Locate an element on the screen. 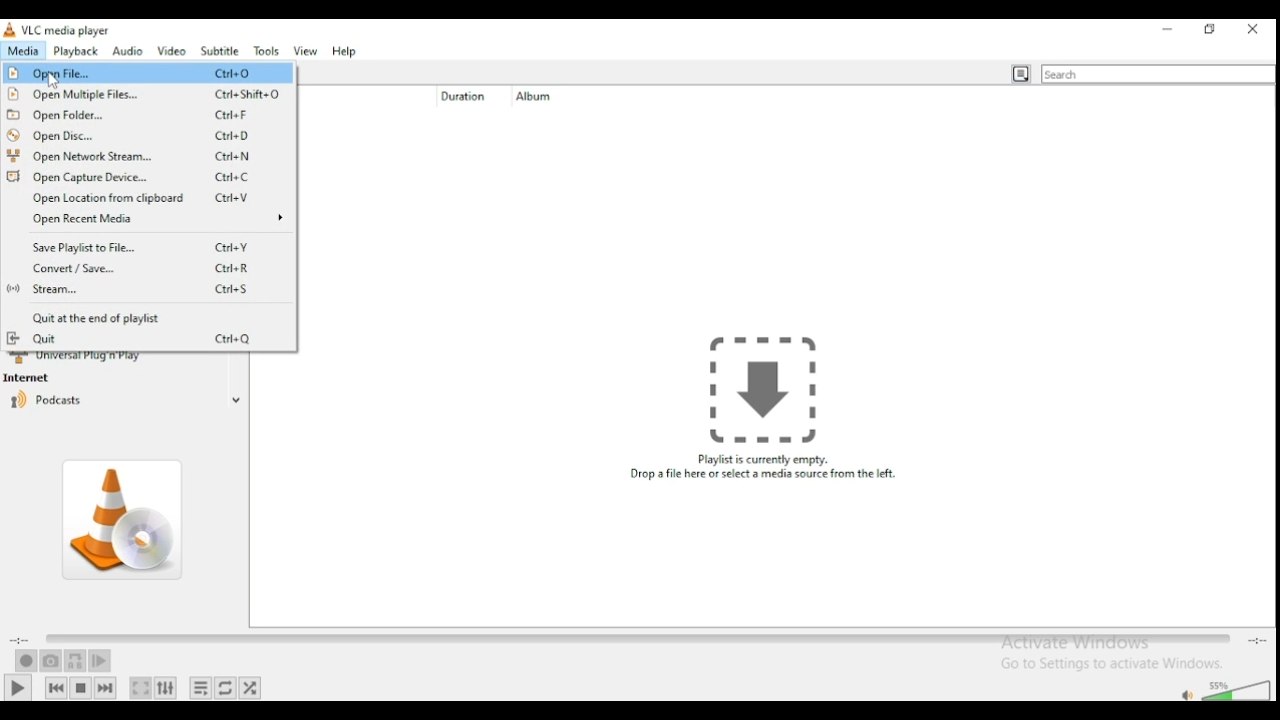  next media in playlist, skips forward when held is located at coordinates (109, 688).